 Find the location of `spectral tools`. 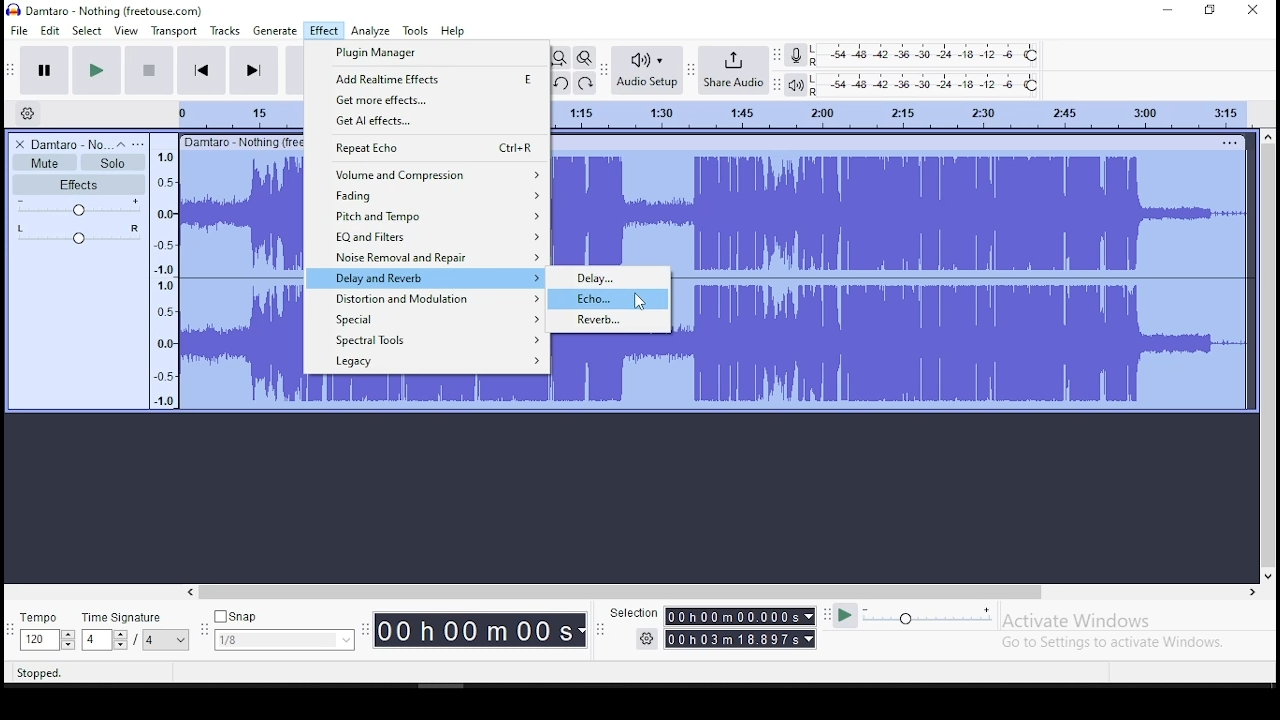

spectral tools is located at coordinates (427, 339).